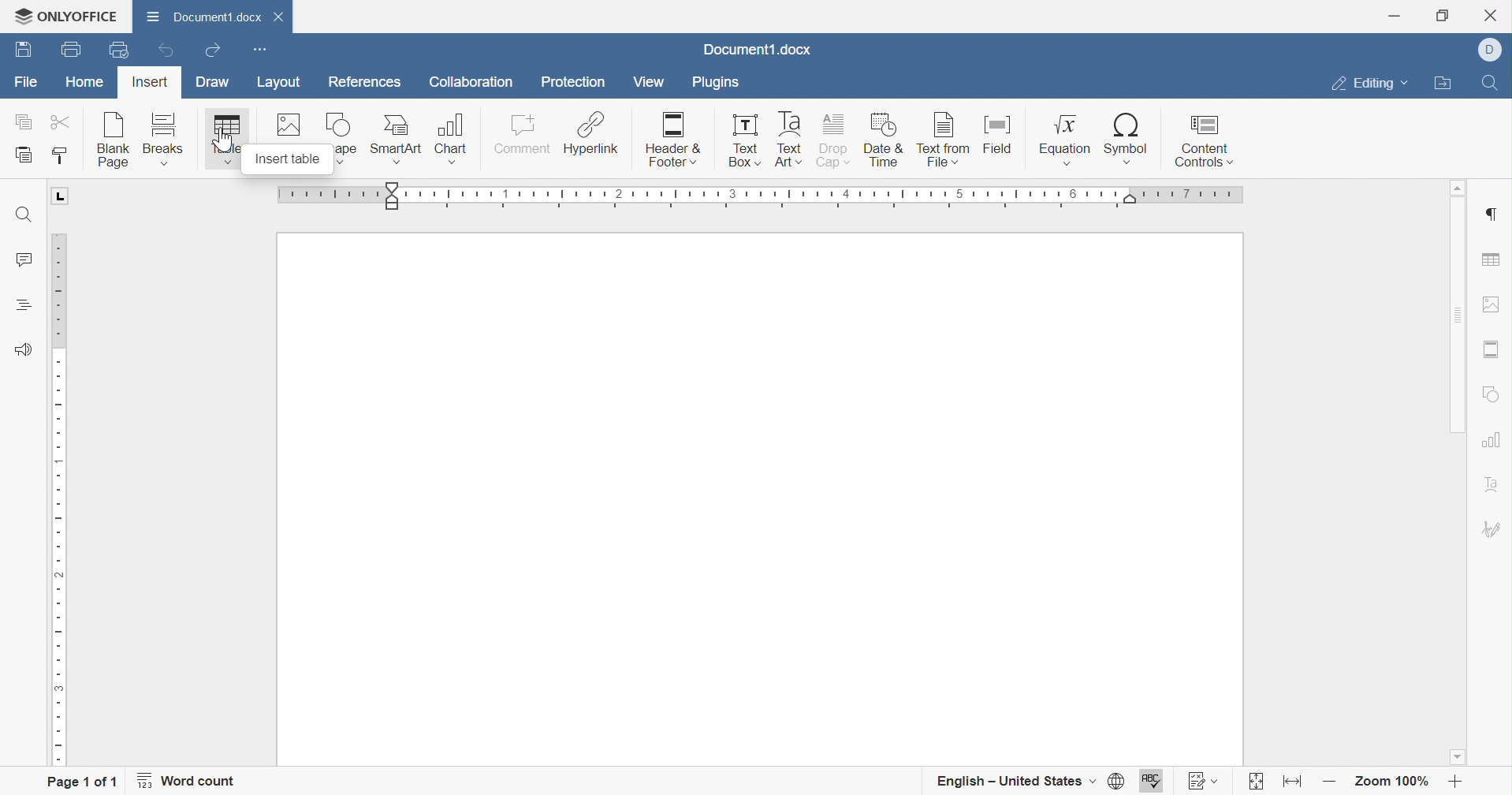 Image resolution: width=1512 pixels, height=795 pixels. I want to click on Insert table, so click(229, 140).